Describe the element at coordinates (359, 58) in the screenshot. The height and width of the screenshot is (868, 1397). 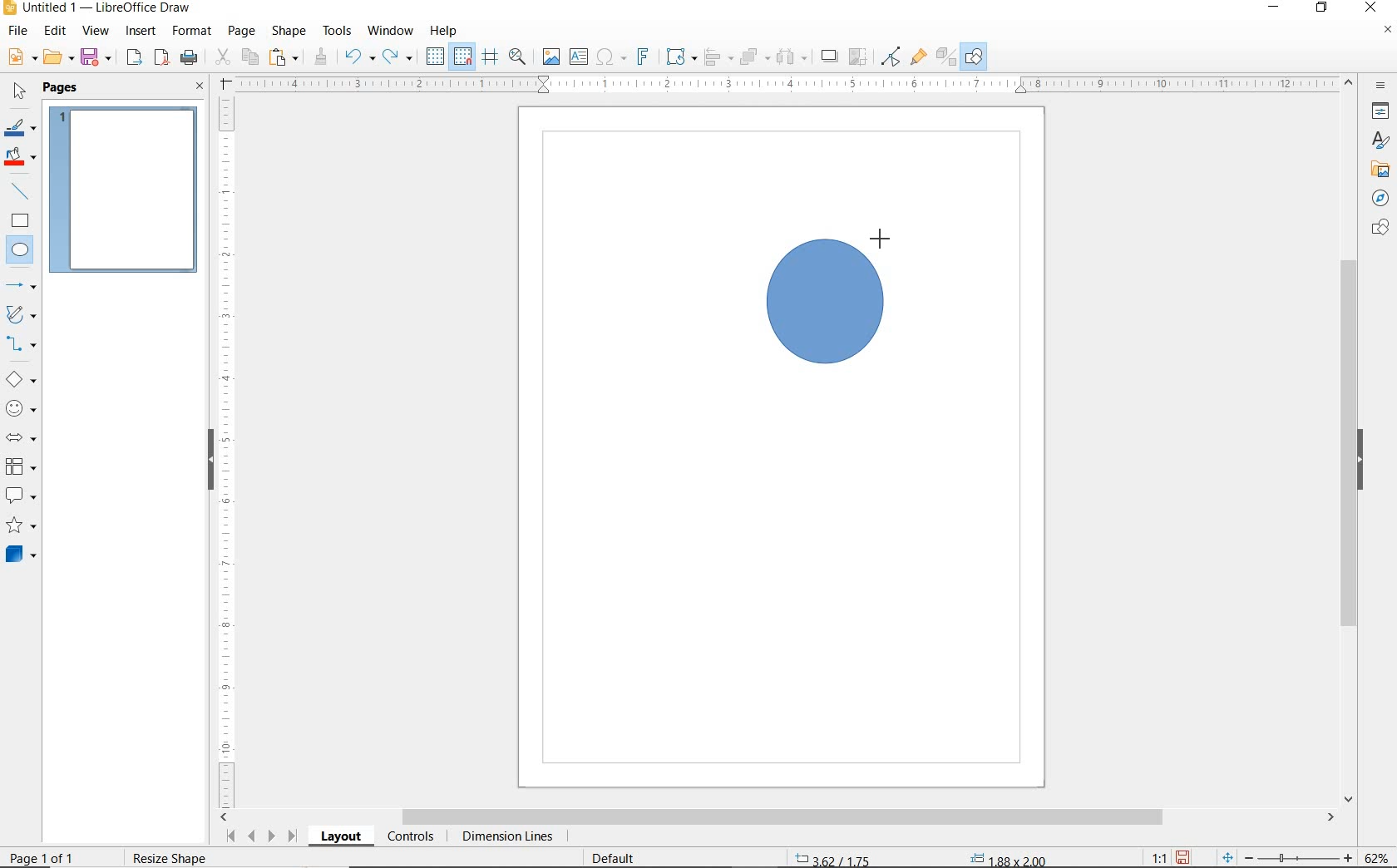
I see `UNDO` at that location.